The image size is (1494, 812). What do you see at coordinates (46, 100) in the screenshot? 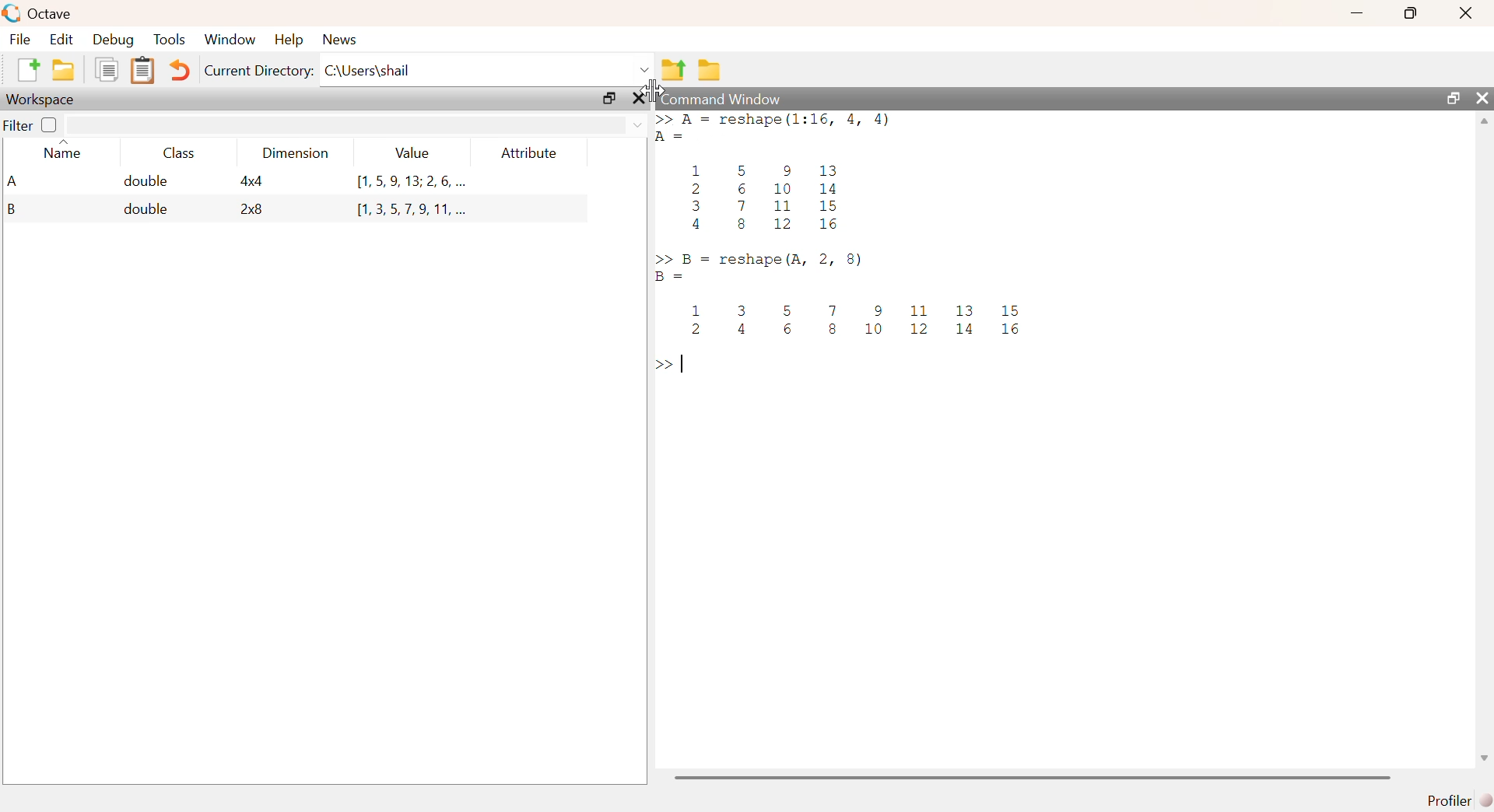
I see `workspace` at bounding box center [46, 100].